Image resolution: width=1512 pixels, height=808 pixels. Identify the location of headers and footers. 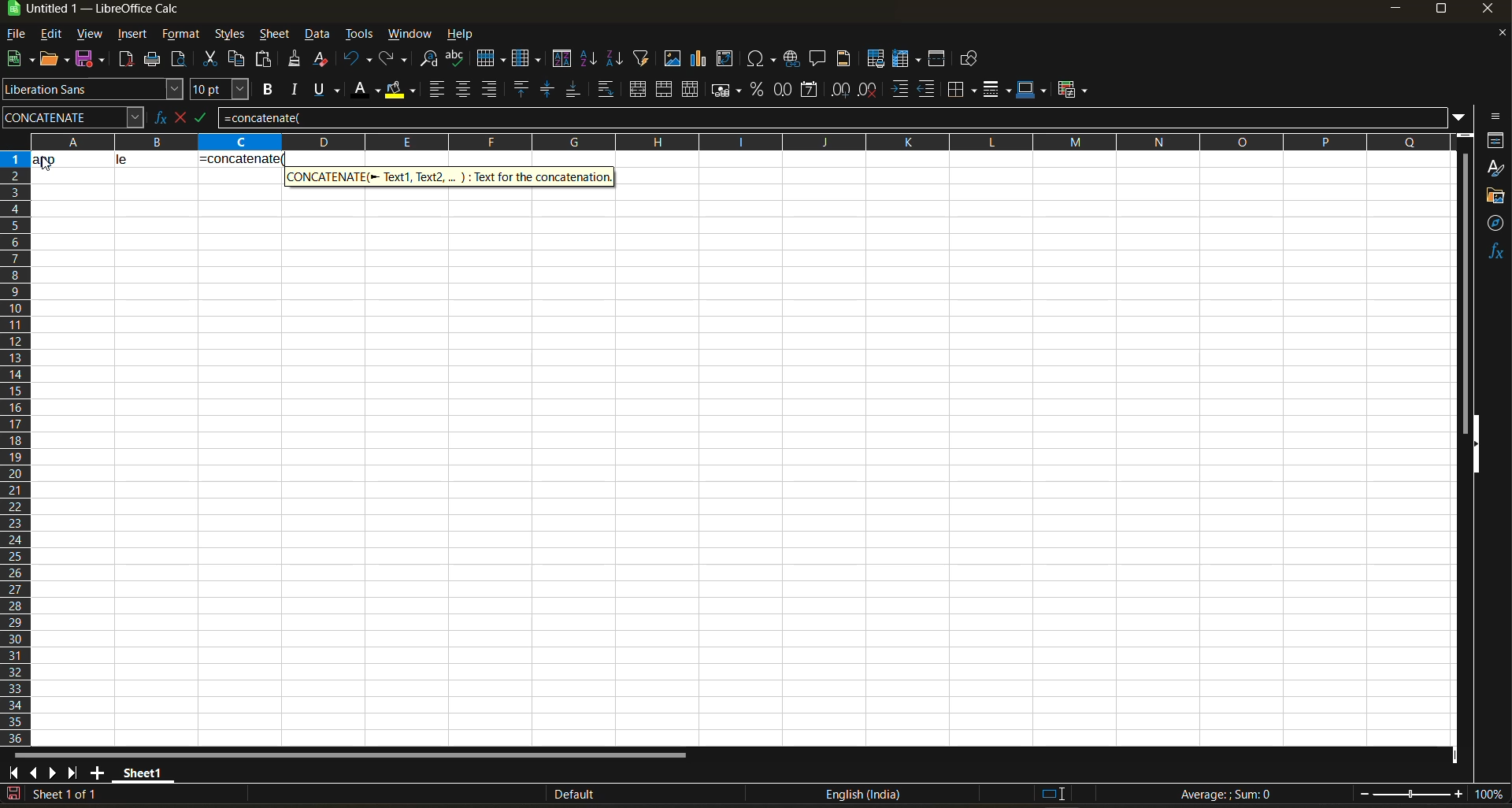
(844, 57).